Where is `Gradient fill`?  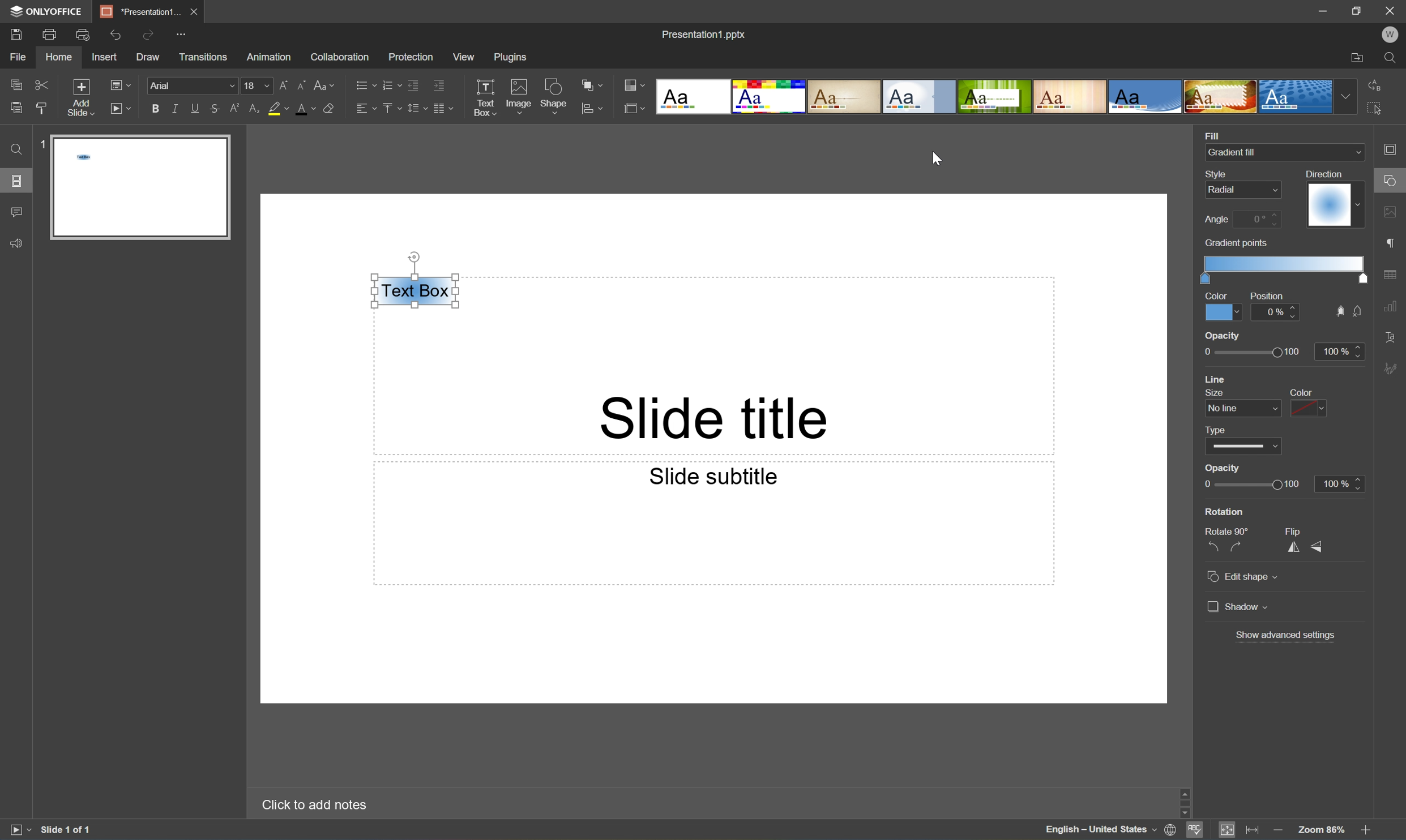
Gradient fill is located at coordinates (1238, 151).